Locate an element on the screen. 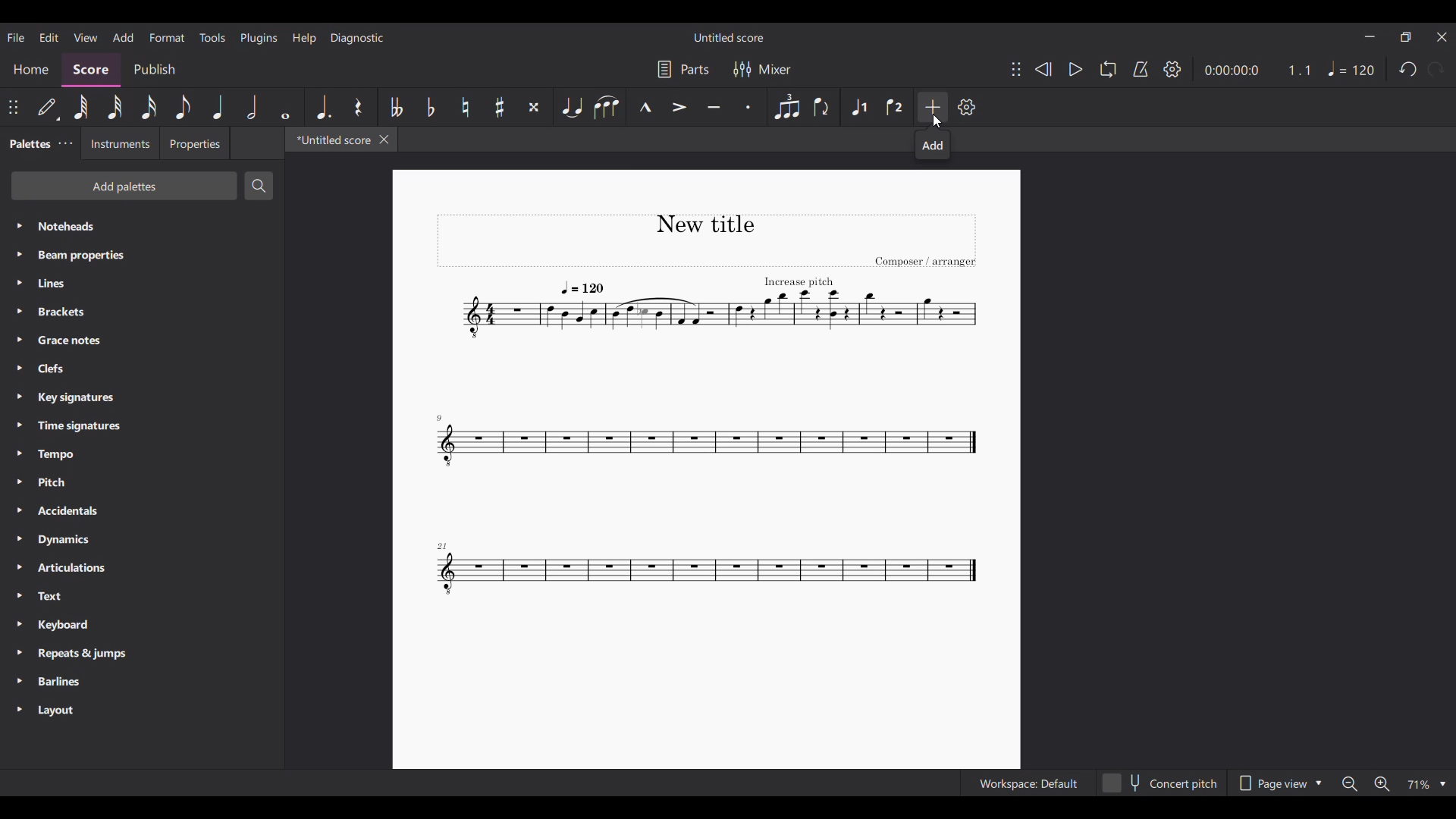 Image resolution: width=1456 pixels, height=819 pixels. Flip direction is located at coordinates (821, 108).